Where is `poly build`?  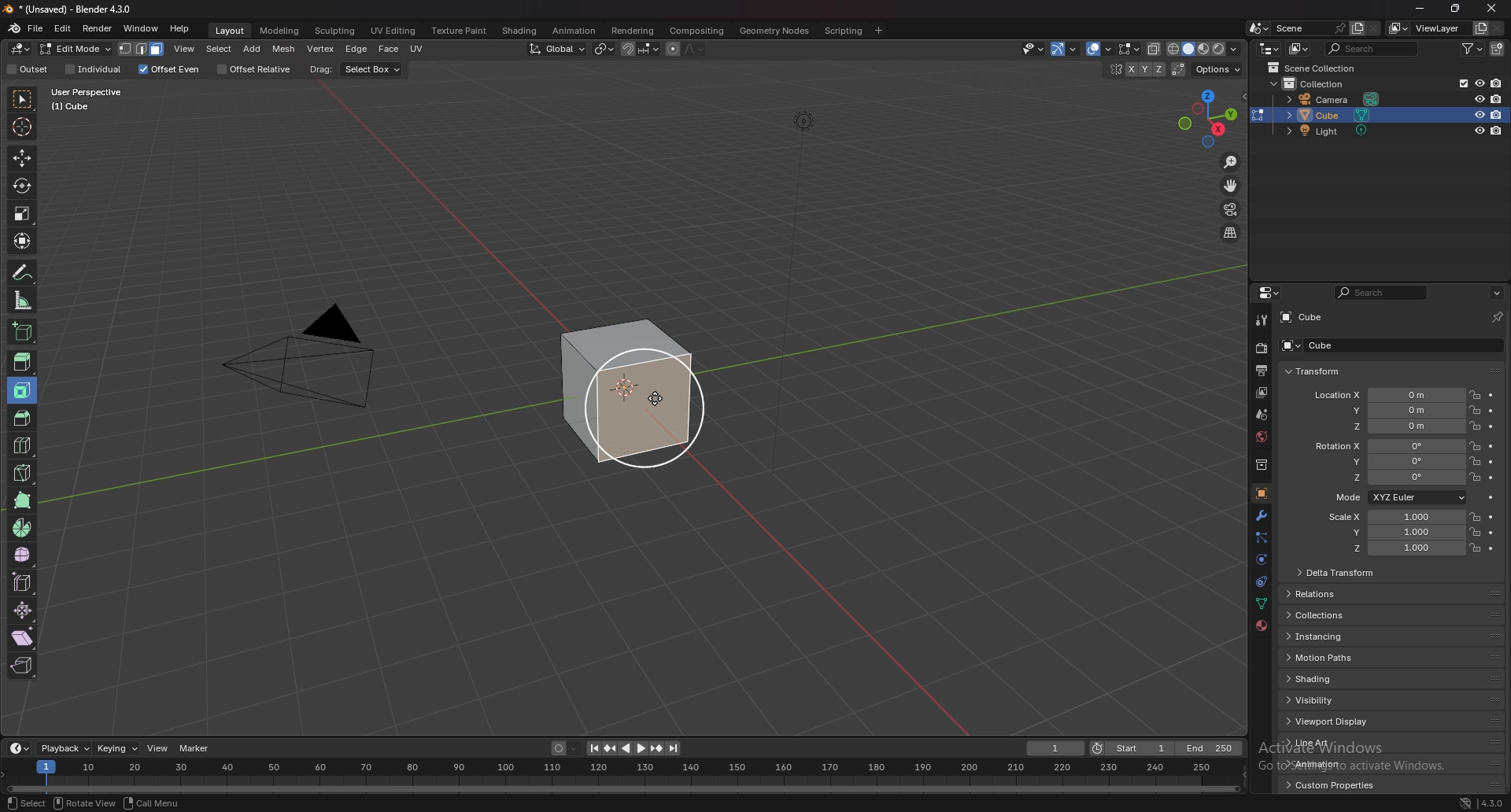 poly build is located at coordinates (24, 500).